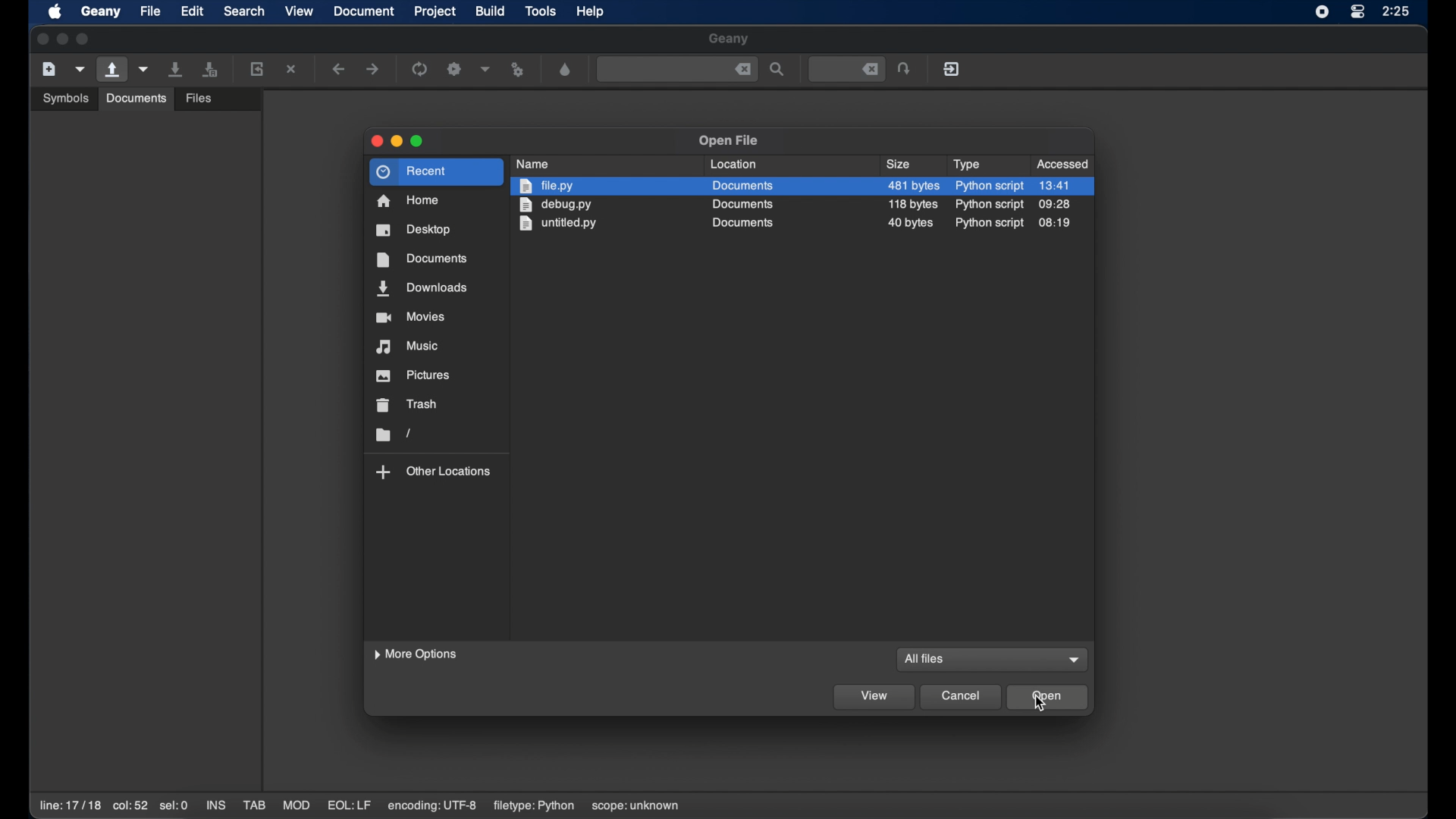 Image resolution: width=1456 pixels, height=819 pixels. I want to click on minimize, so click(61, 39).